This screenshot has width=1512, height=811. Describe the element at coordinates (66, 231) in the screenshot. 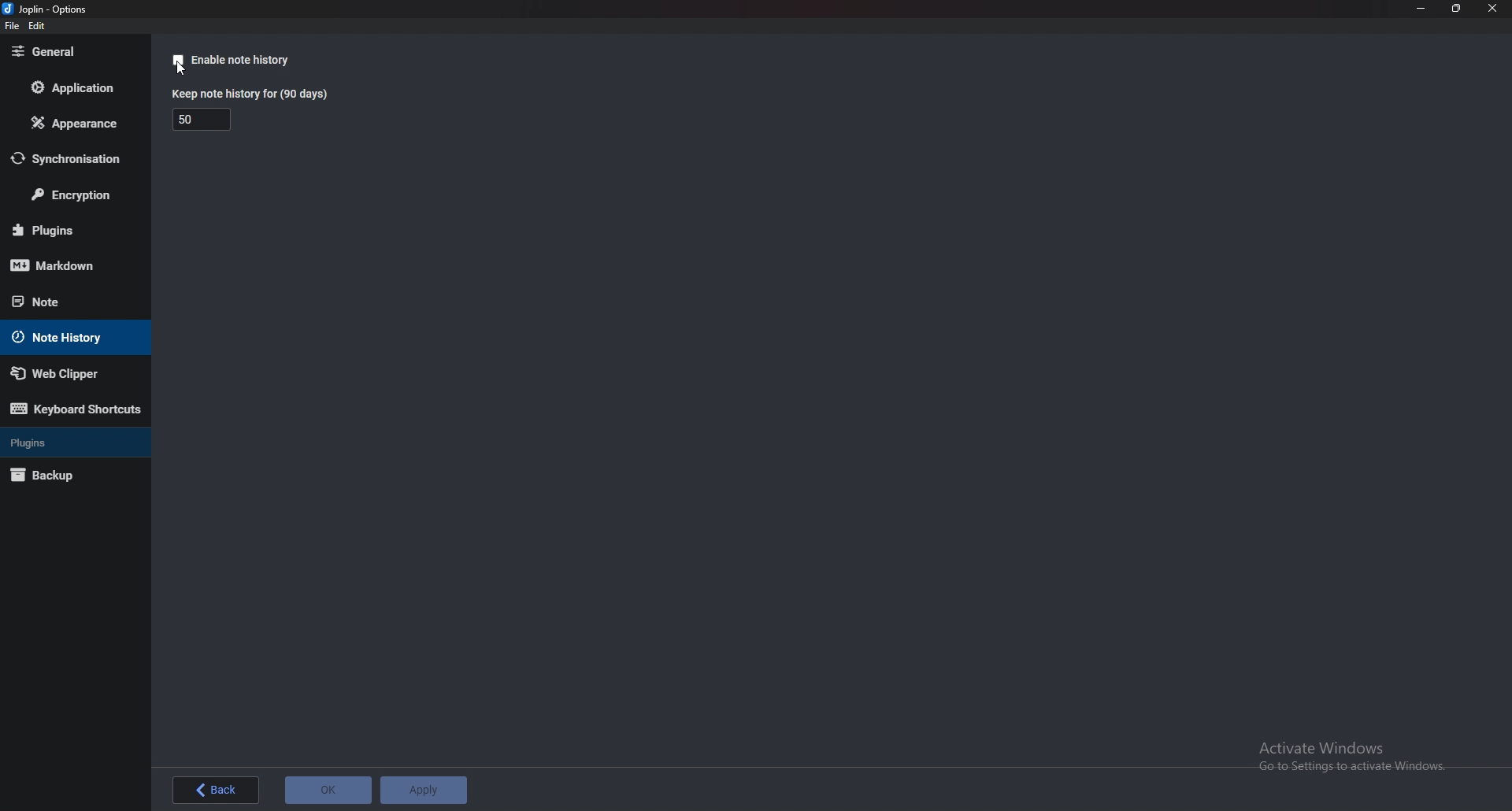

I see `Plugins` at that location.